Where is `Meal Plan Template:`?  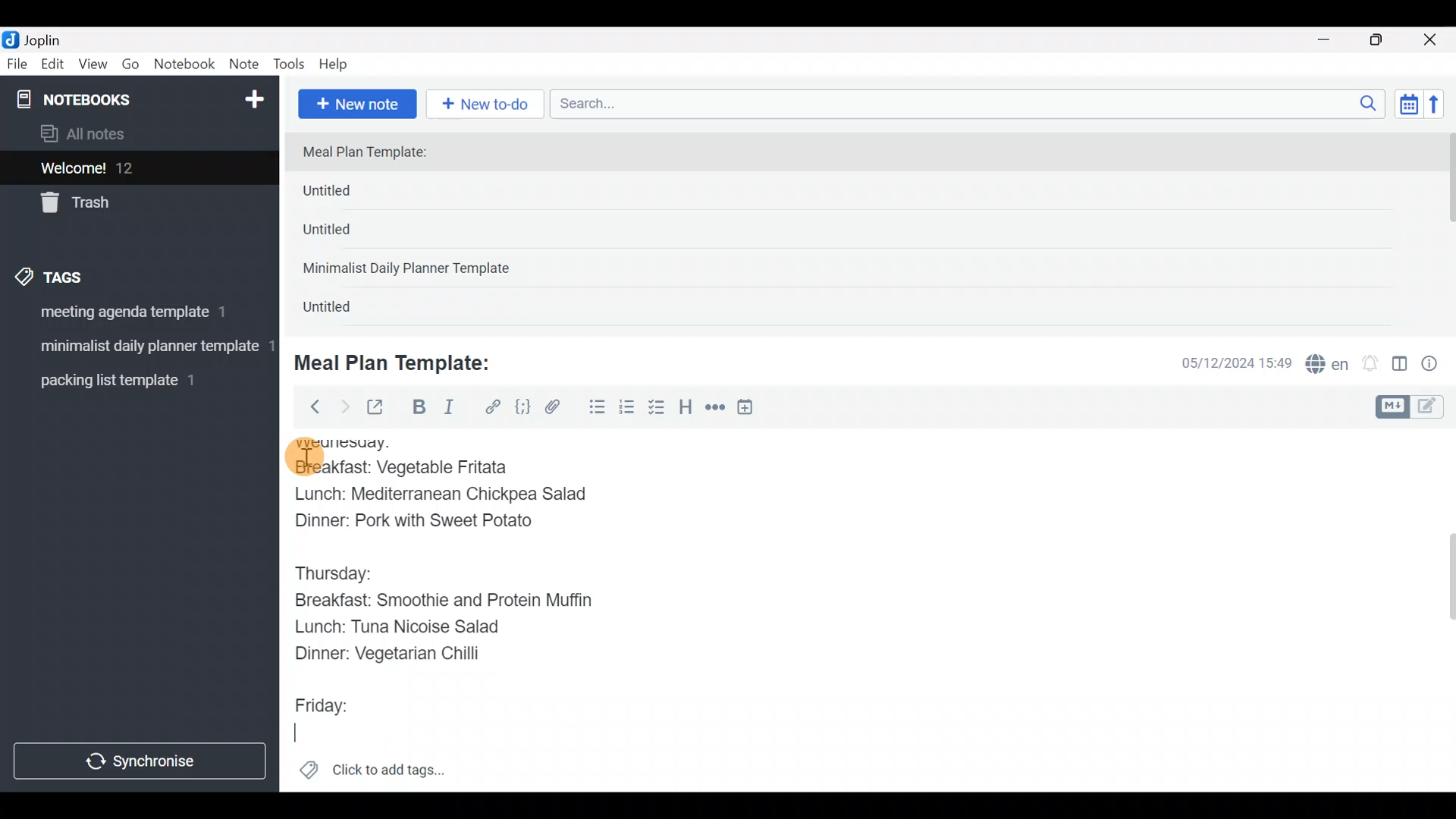 Meal Plan Template: is located at coordinates (402, 361).